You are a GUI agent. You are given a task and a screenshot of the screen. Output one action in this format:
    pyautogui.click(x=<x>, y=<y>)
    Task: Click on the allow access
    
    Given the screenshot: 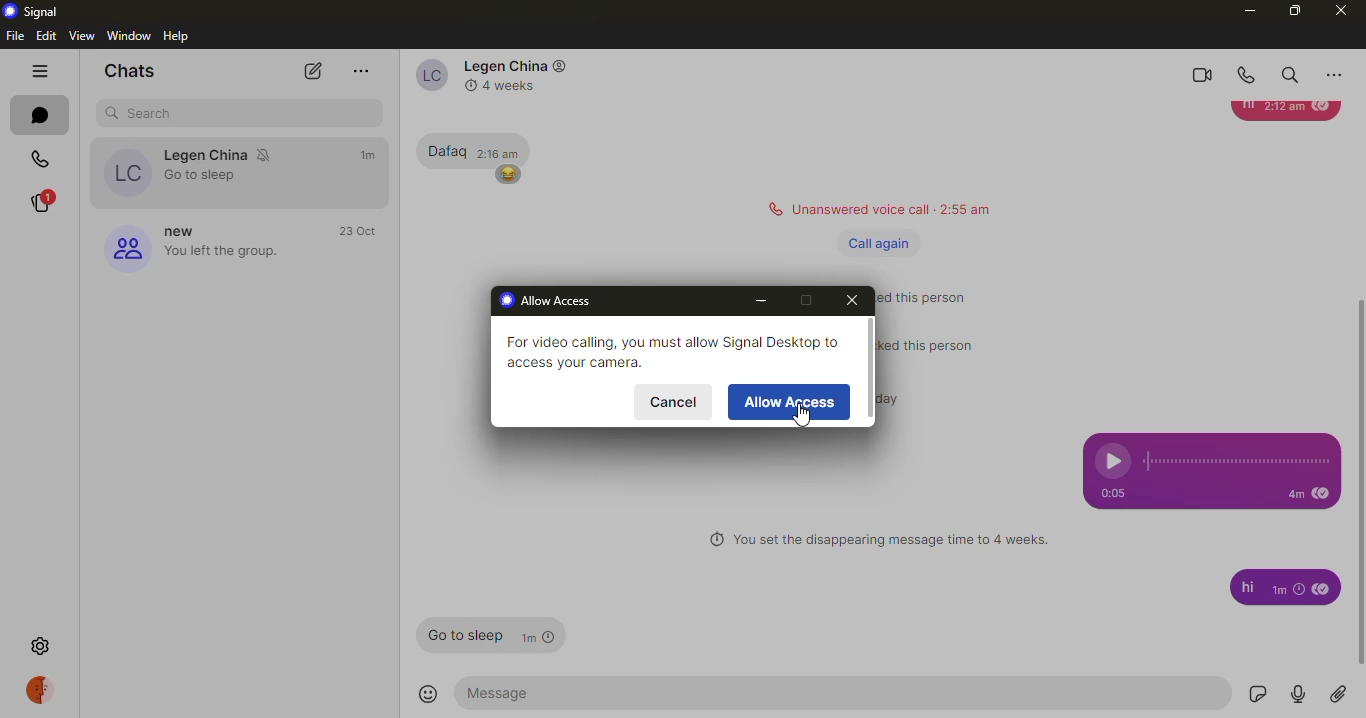 What is the action you would take?
    pyautogui.click(x=791, y=401)
    